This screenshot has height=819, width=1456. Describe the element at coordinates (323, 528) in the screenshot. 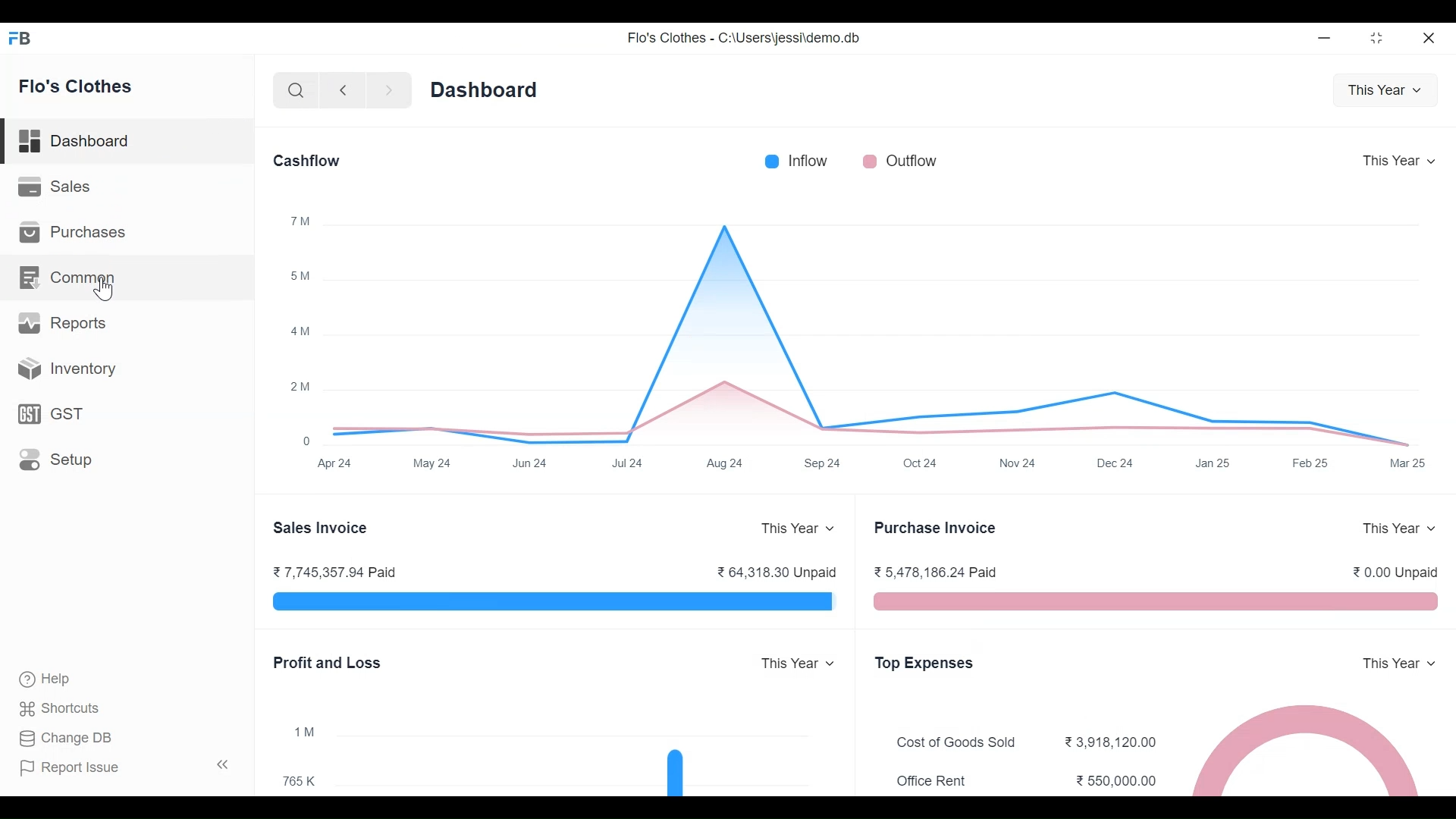

I see `Sales Invoice` at that location.